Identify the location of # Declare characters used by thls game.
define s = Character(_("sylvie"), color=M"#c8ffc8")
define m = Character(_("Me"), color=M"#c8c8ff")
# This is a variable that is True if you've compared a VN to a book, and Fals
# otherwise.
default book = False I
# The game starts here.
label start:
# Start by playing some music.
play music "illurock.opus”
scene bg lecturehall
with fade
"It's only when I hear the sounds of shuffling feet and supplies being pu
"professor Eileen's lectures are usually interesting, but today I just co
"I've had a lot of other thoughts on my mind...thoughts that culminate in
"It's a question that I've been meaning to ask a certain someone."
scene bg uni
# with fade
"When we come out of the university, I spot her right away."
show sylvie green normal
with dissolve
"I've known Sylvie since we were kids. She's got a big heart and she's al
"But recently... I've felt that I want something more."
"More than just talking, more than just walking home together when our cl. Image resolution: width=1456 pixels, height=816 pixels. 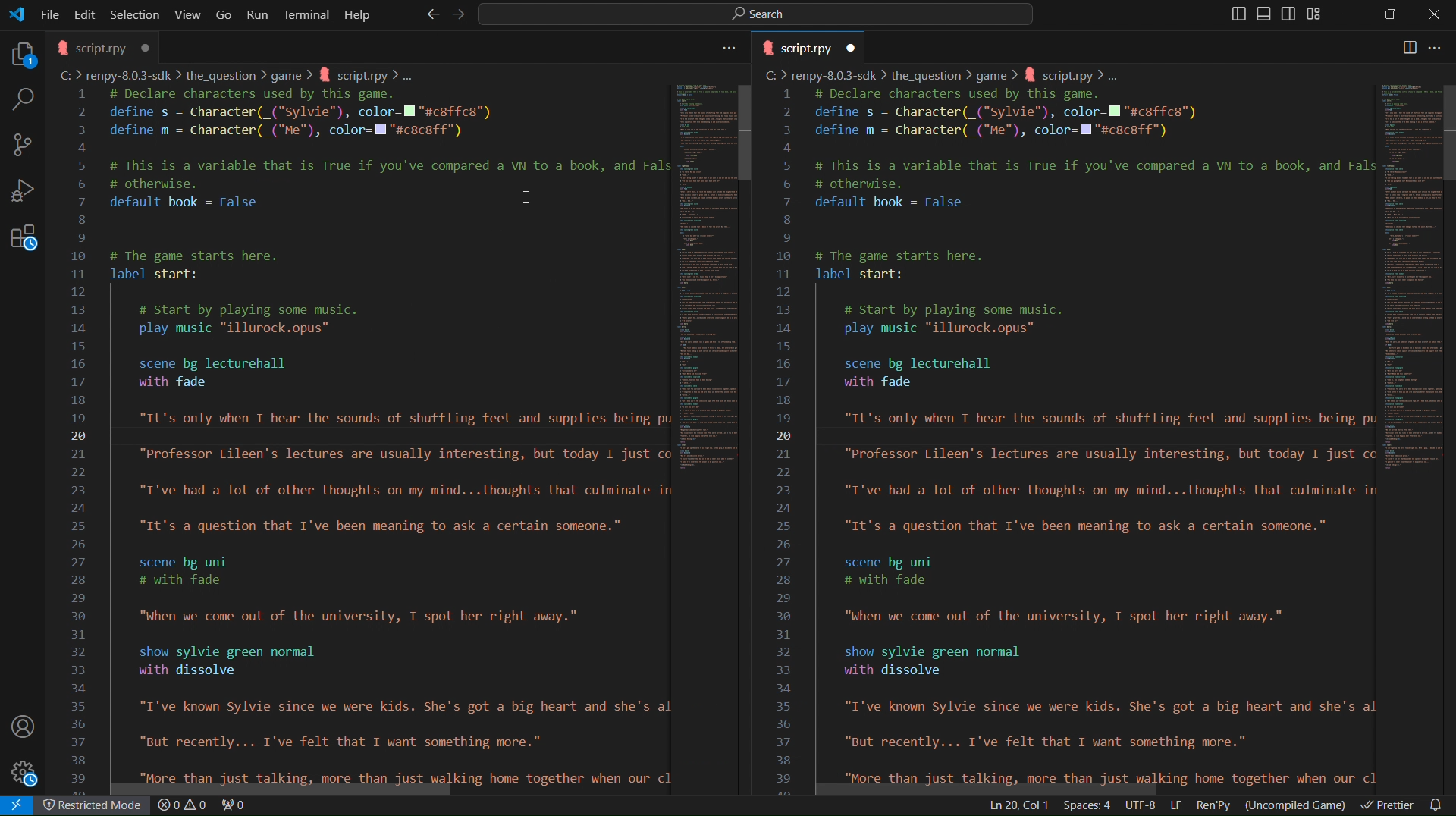
(381, 435).